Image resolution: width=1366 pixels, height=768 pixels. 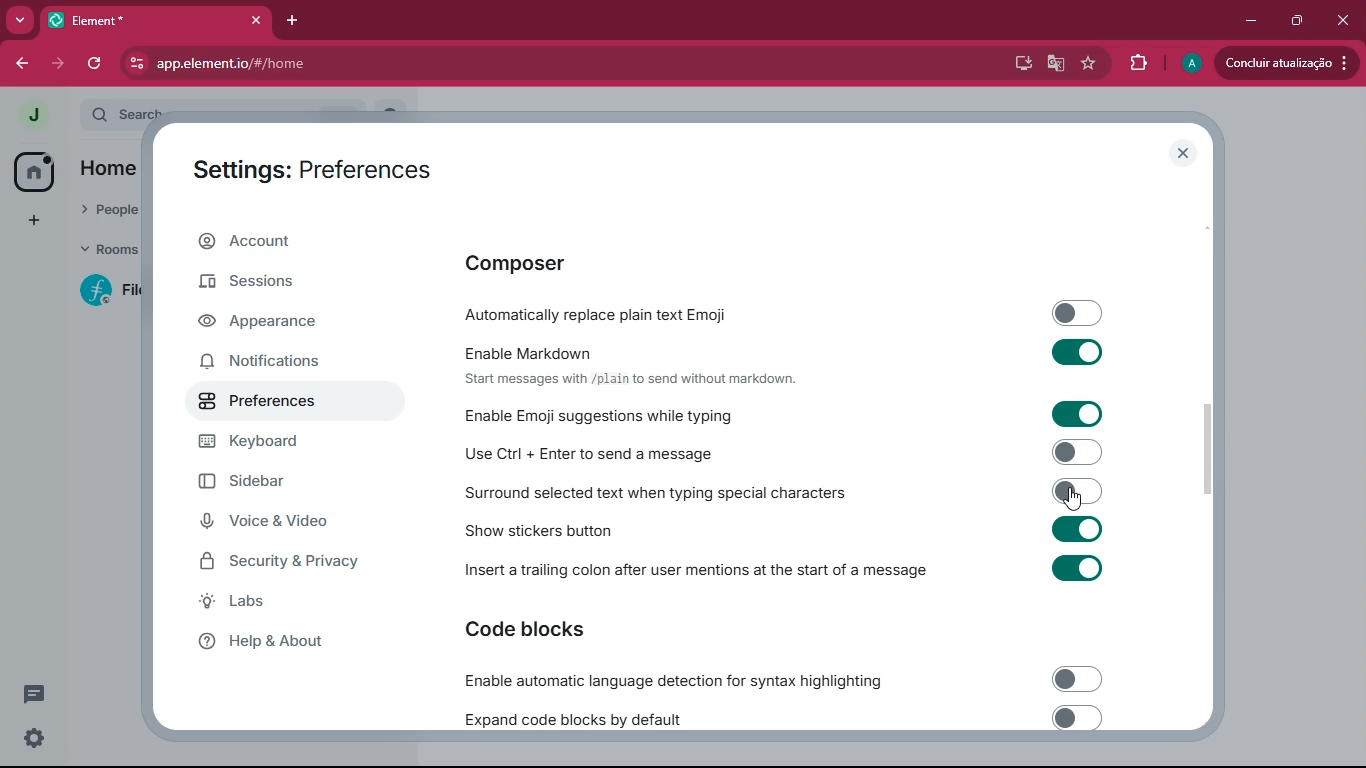 I want to click on desktop, so click(x=1015, y=62).